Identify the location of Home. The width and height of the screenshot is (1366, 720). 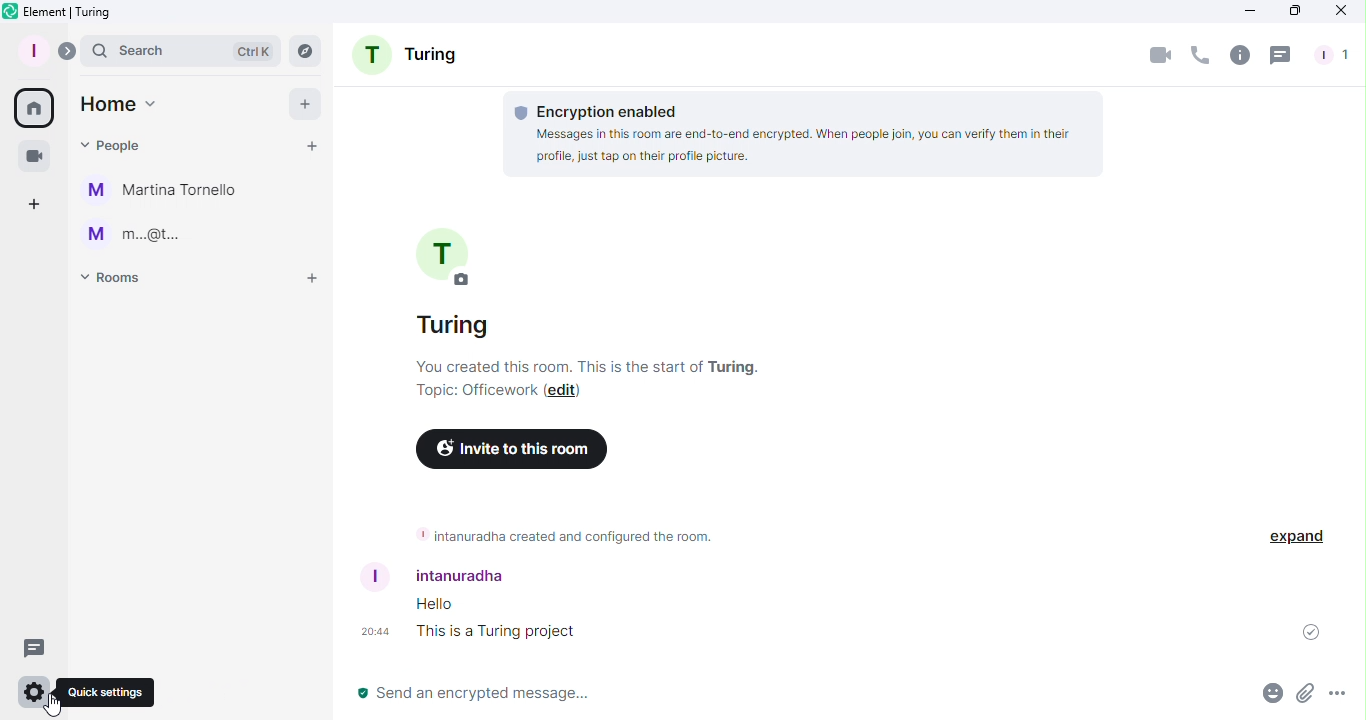
(37, 108).